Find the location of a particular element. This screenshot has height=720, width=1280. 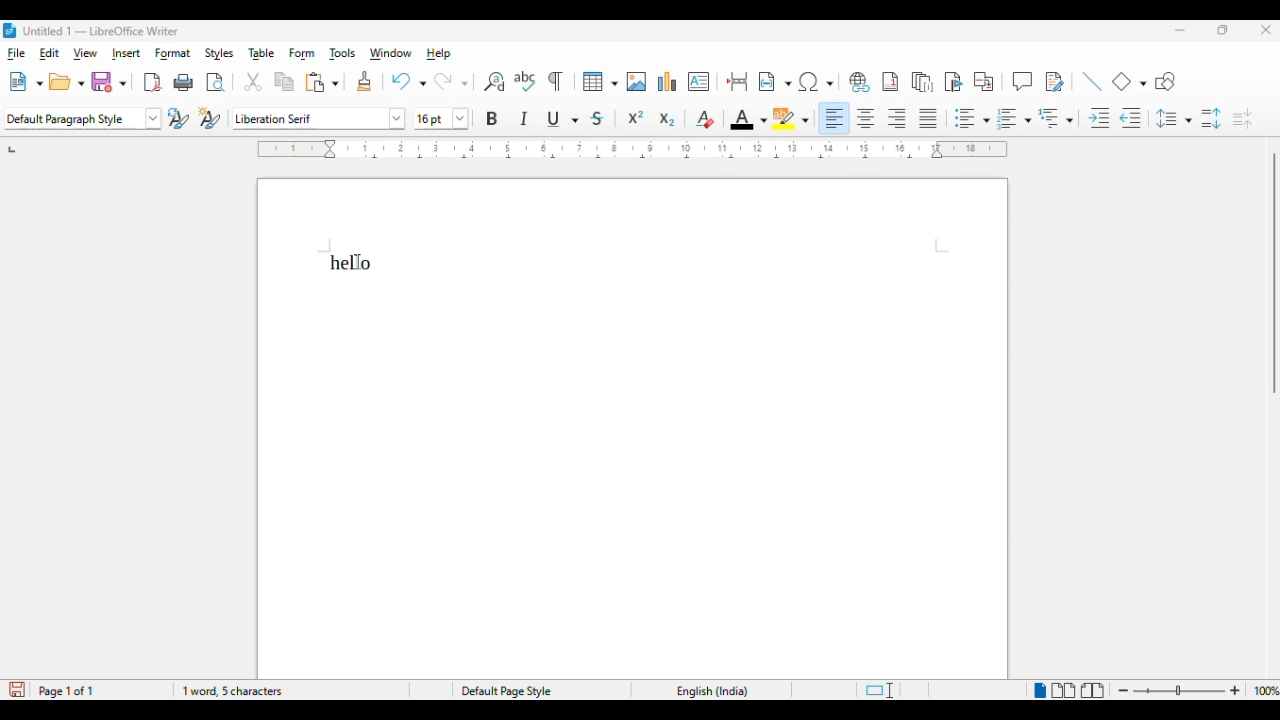

basic shapes is located at coordinates (1130, 81).